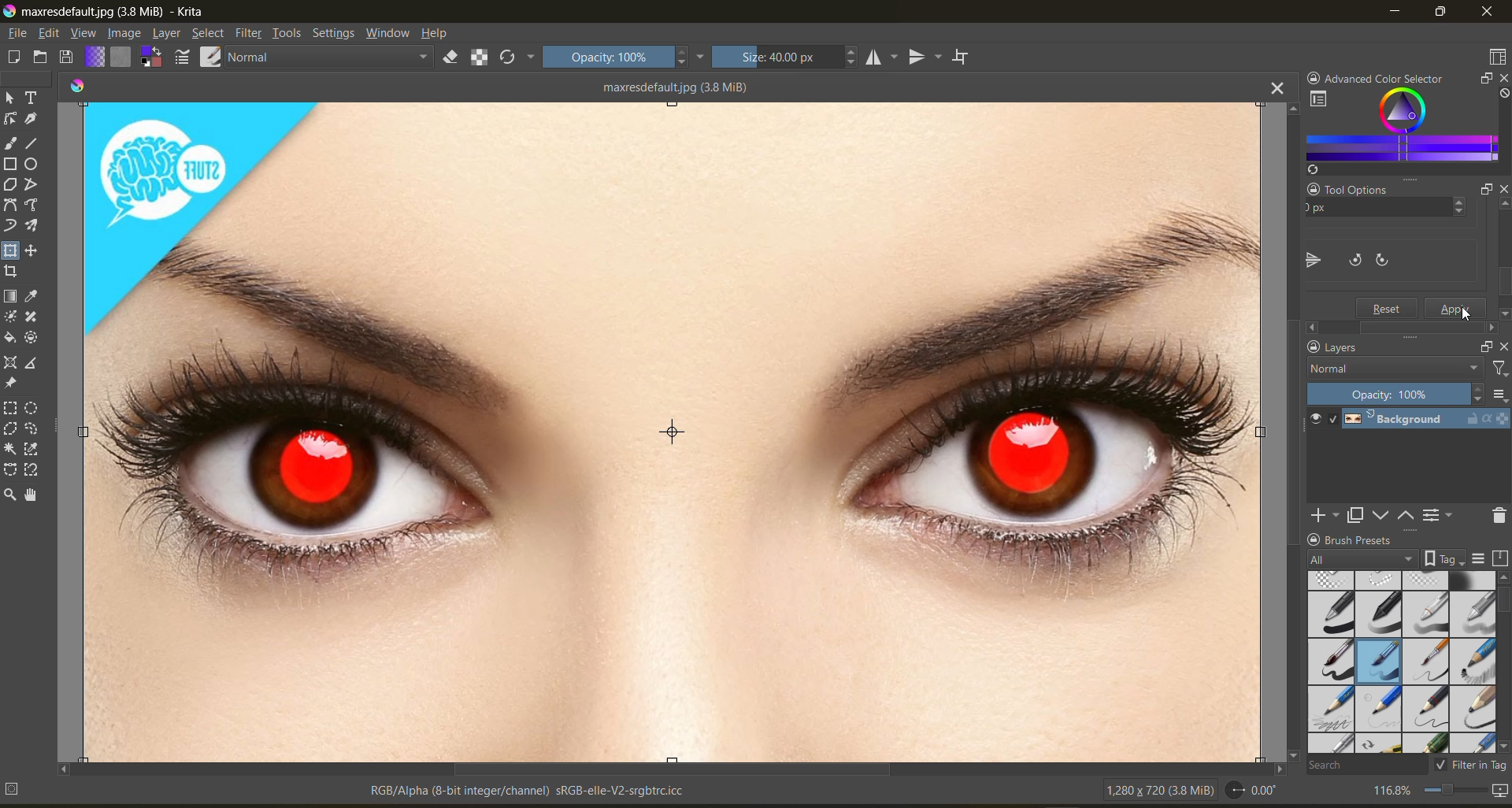 The height and width of the screenshot is (808, 1512). Describe the element at coordinates (1473, 766) in the screenshot. I see `filter in tag` at that location.